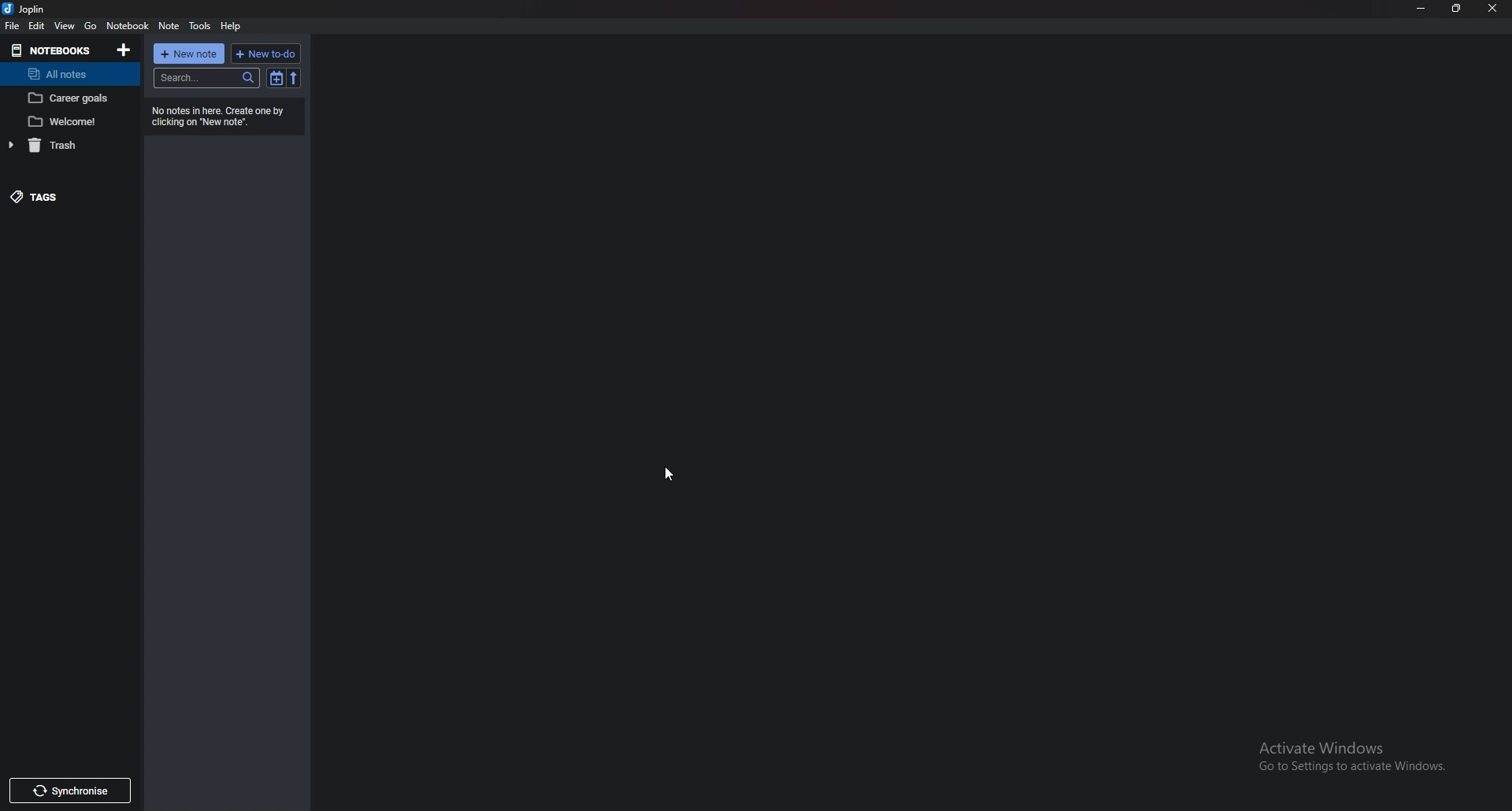 The width and height of the screenshot is (1512, 811). I want to click on cursor, so click(668, 474).